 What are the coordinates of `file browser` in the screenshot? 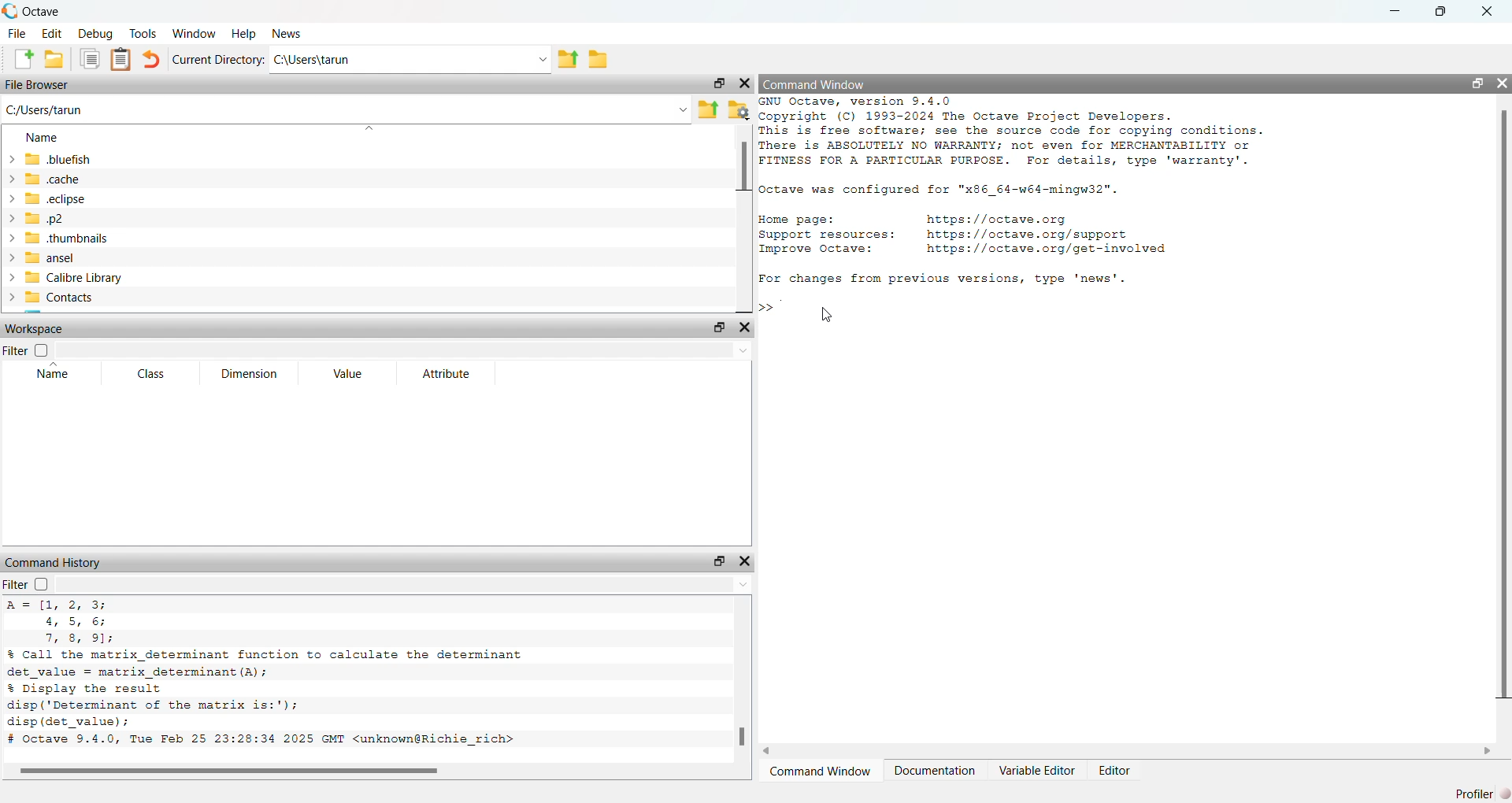 It's located at (39, 84).